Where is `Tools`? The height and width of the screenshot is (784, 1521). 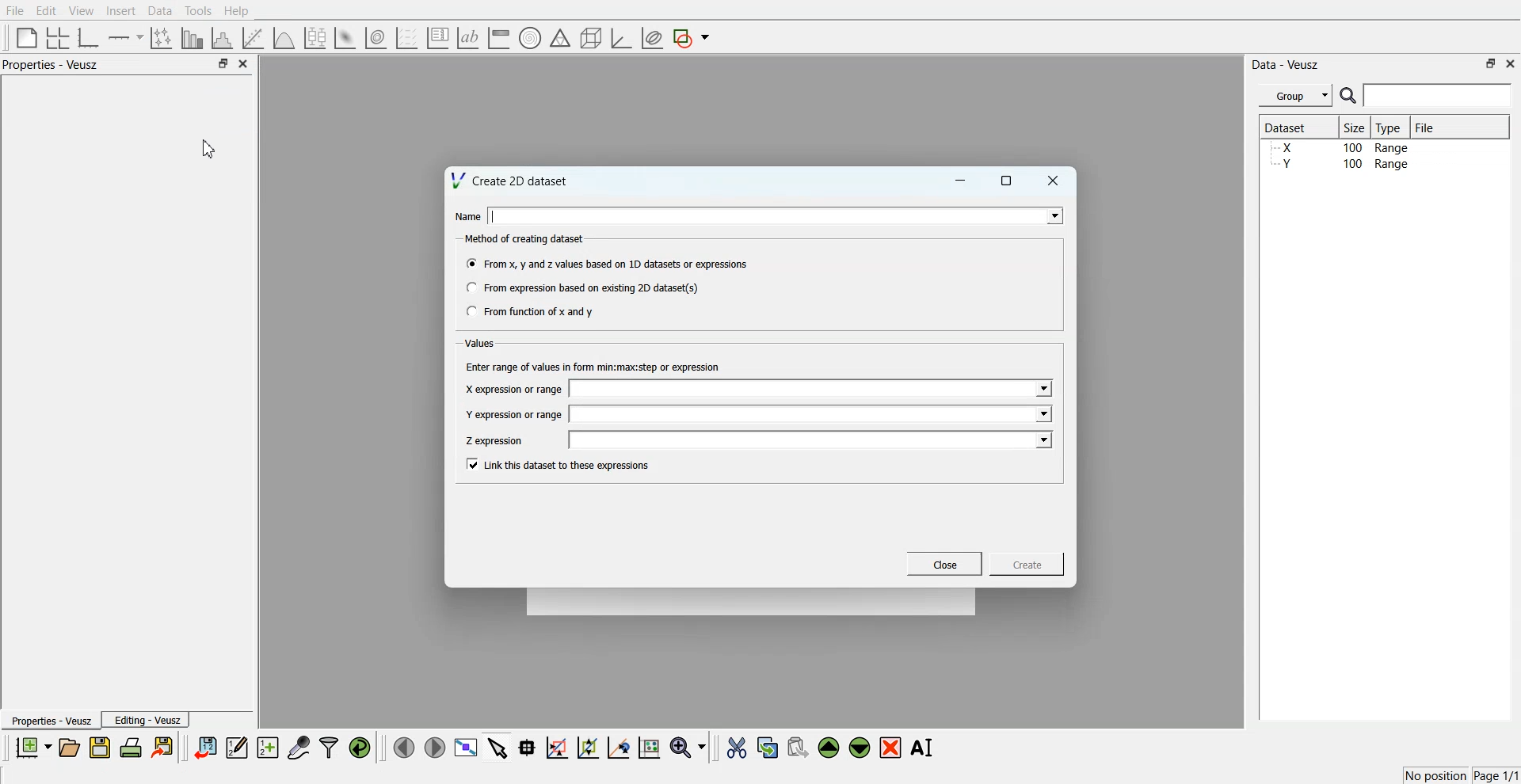 Tools is located at coordinates (199, 11).